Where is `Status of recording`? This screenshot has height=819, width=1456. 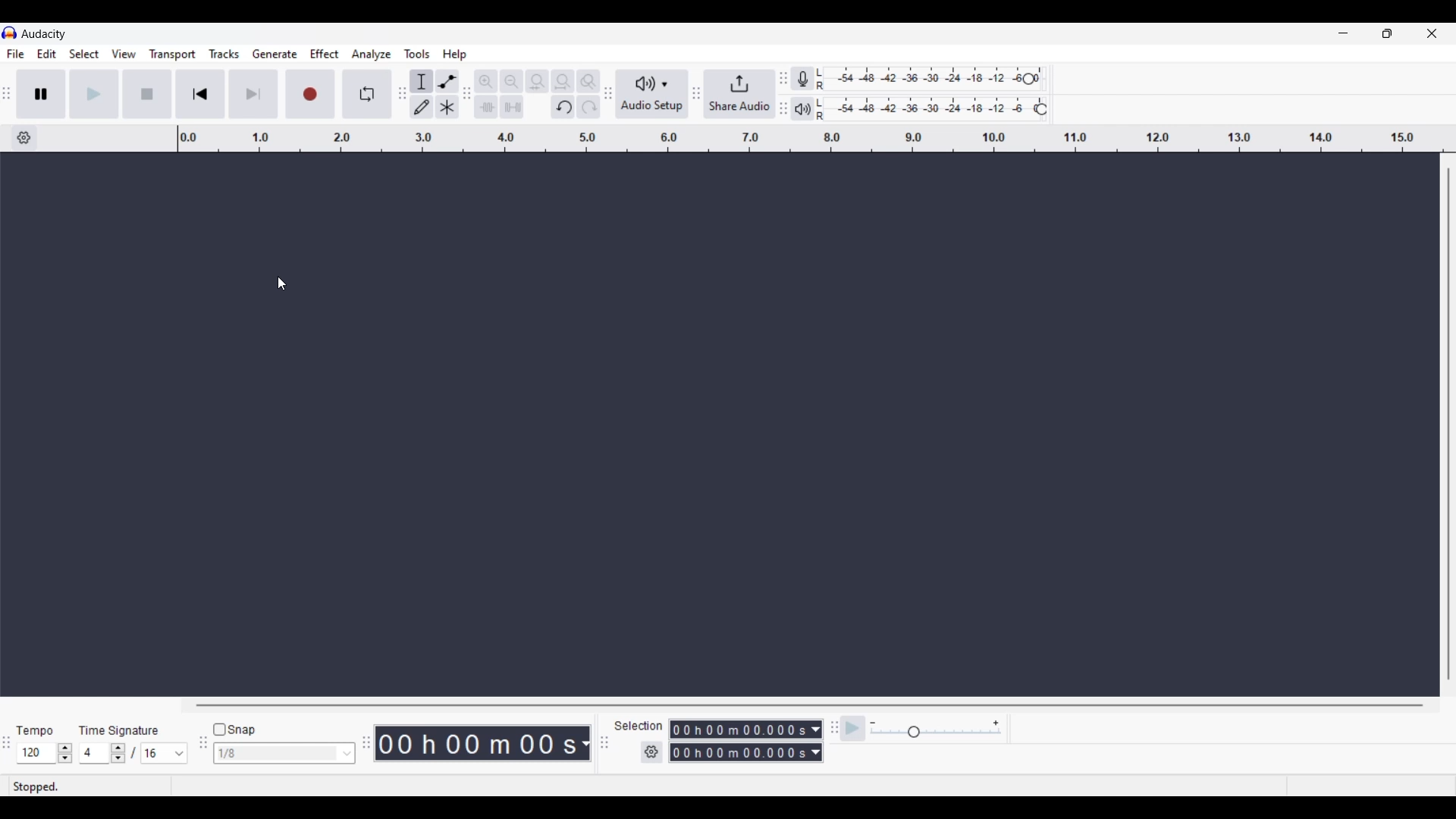
Status of recording is located at coordinates (89, 786).